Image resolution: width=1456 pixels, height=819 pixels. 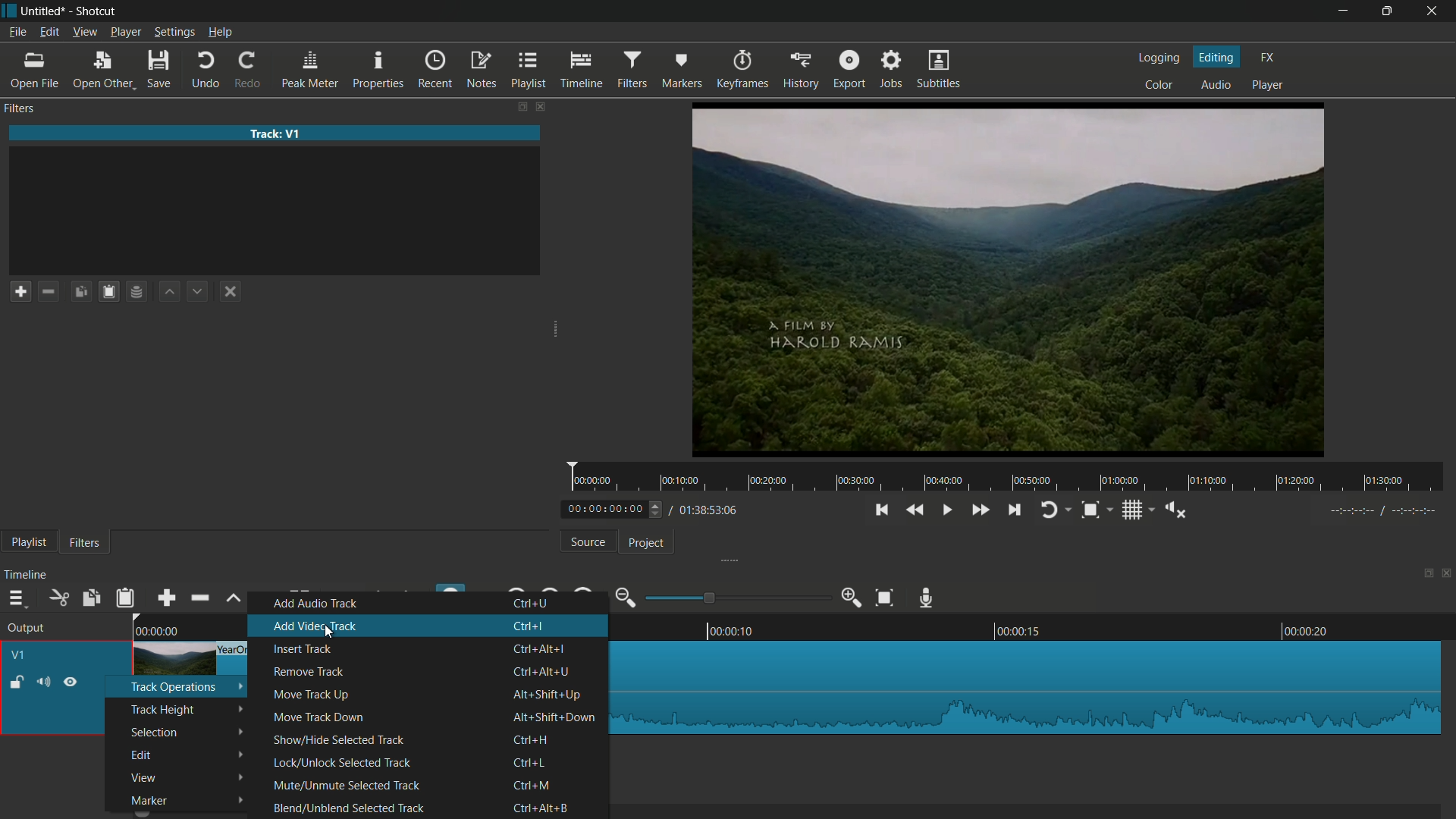 I want to click on skip to the next point, so click(x=1015, y=510).